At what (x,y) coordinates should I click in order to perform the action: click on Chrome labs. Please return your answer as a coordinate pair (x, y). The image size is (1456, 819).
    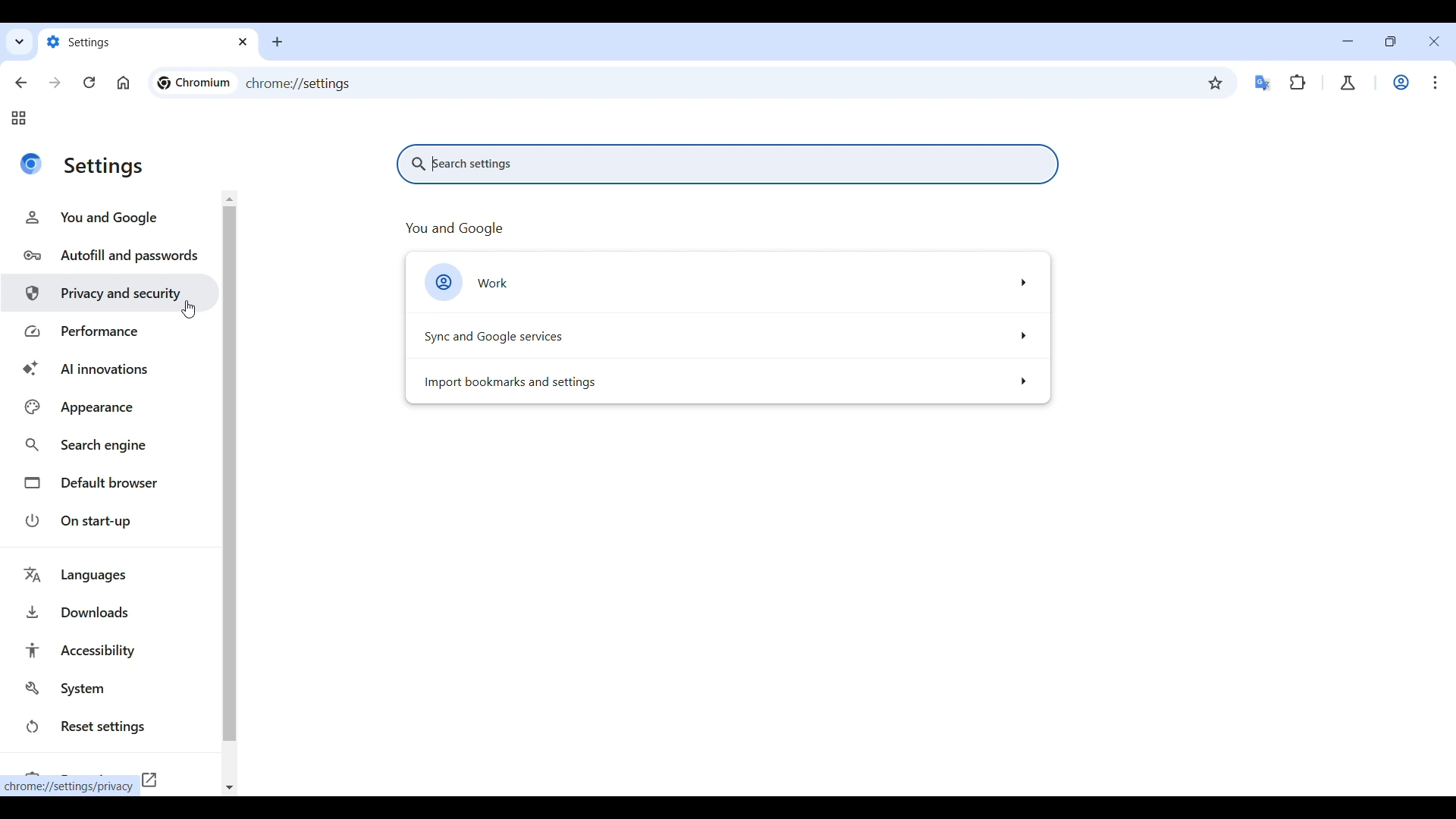
    Looking at the image, I should click on (1348, 83).